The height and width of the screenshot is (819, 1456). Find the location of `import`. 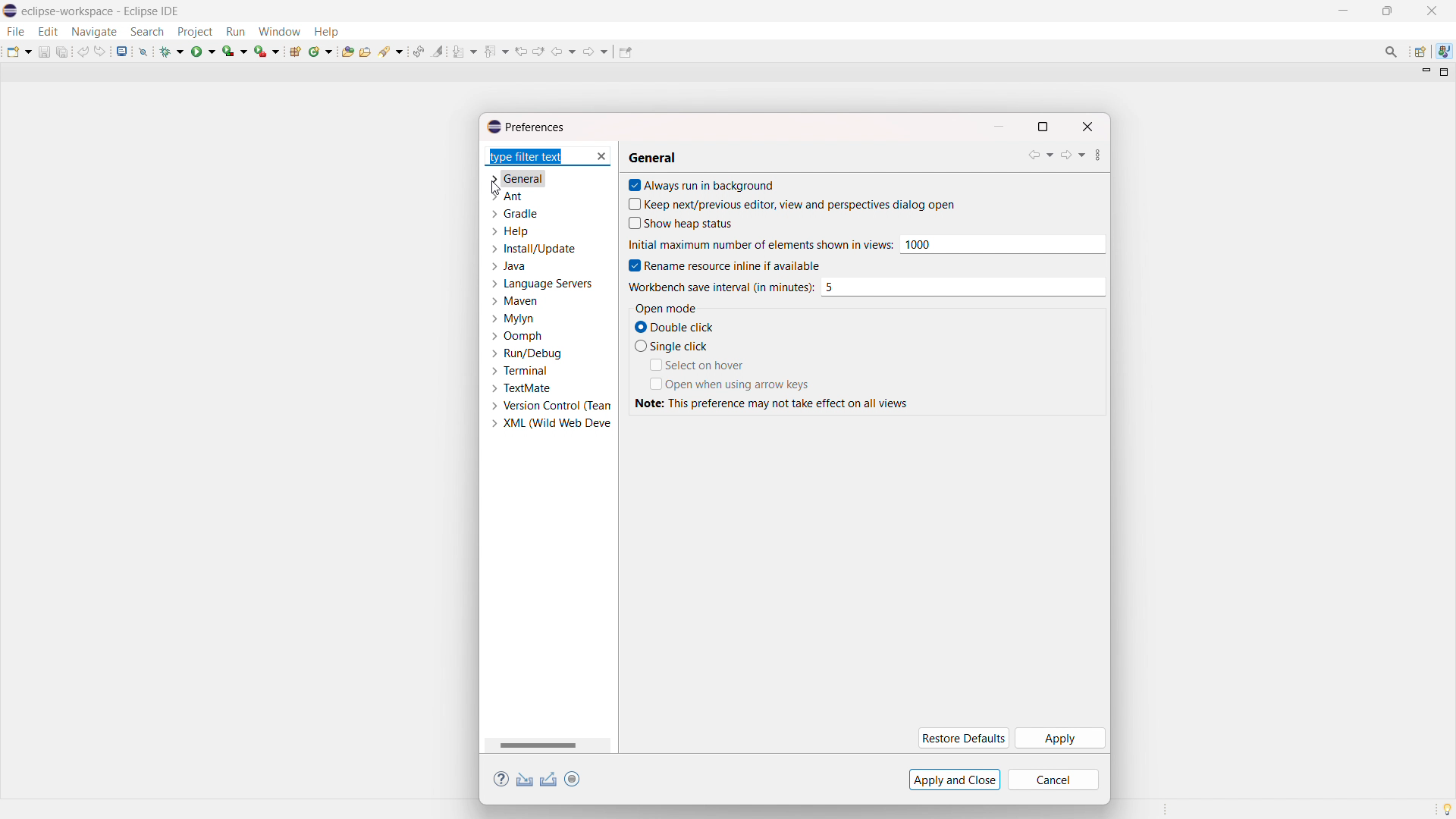

import is located at coordinates (525, 780).